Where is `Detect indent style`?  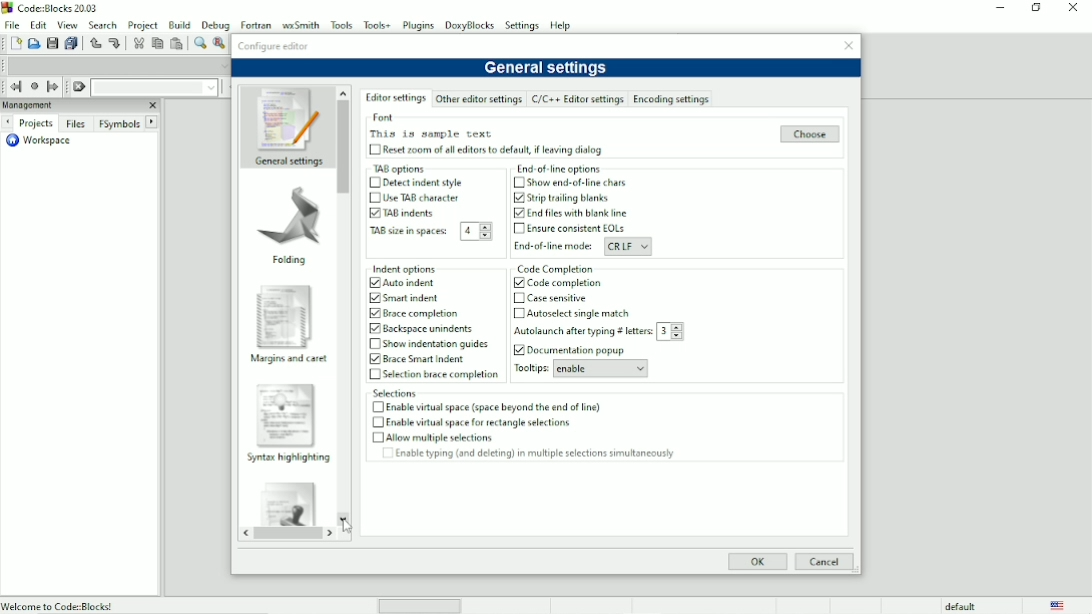 Detect indent style is located at coordinates (423, 183).